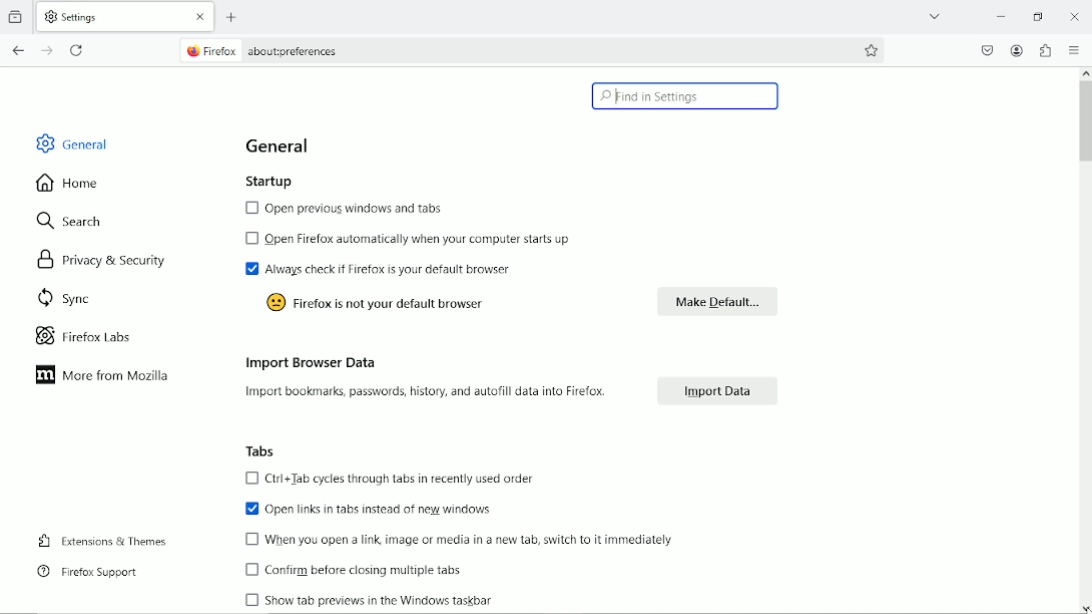 The image size is (1092, 614). What do you see at coordinates (380, 270) in the screenshot?
I see `Always check if firefox is your  default browser` at bounding box center [380, 270].